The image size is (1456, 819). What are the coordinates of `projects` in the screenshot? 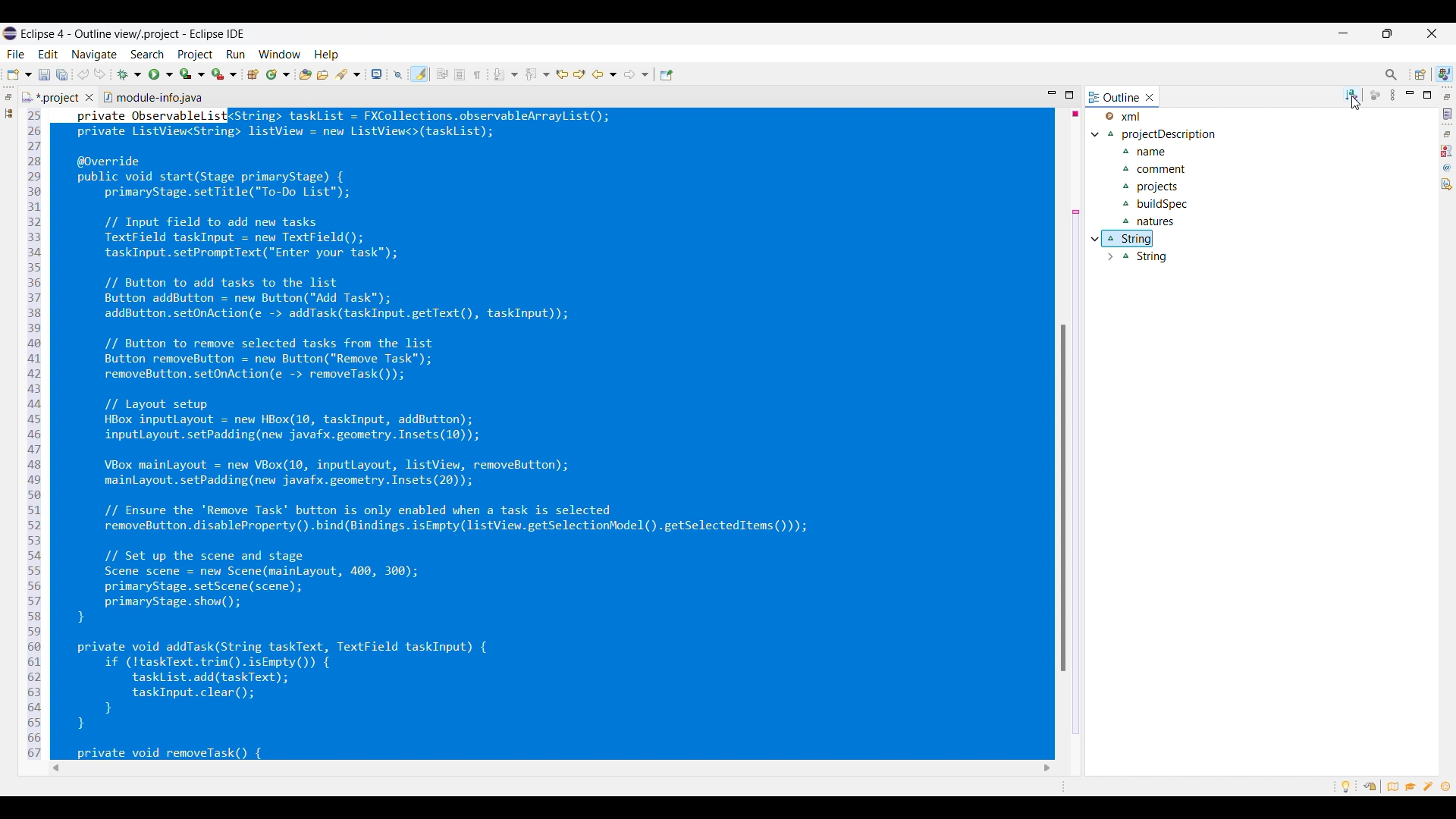 It's located at (1156, 189).